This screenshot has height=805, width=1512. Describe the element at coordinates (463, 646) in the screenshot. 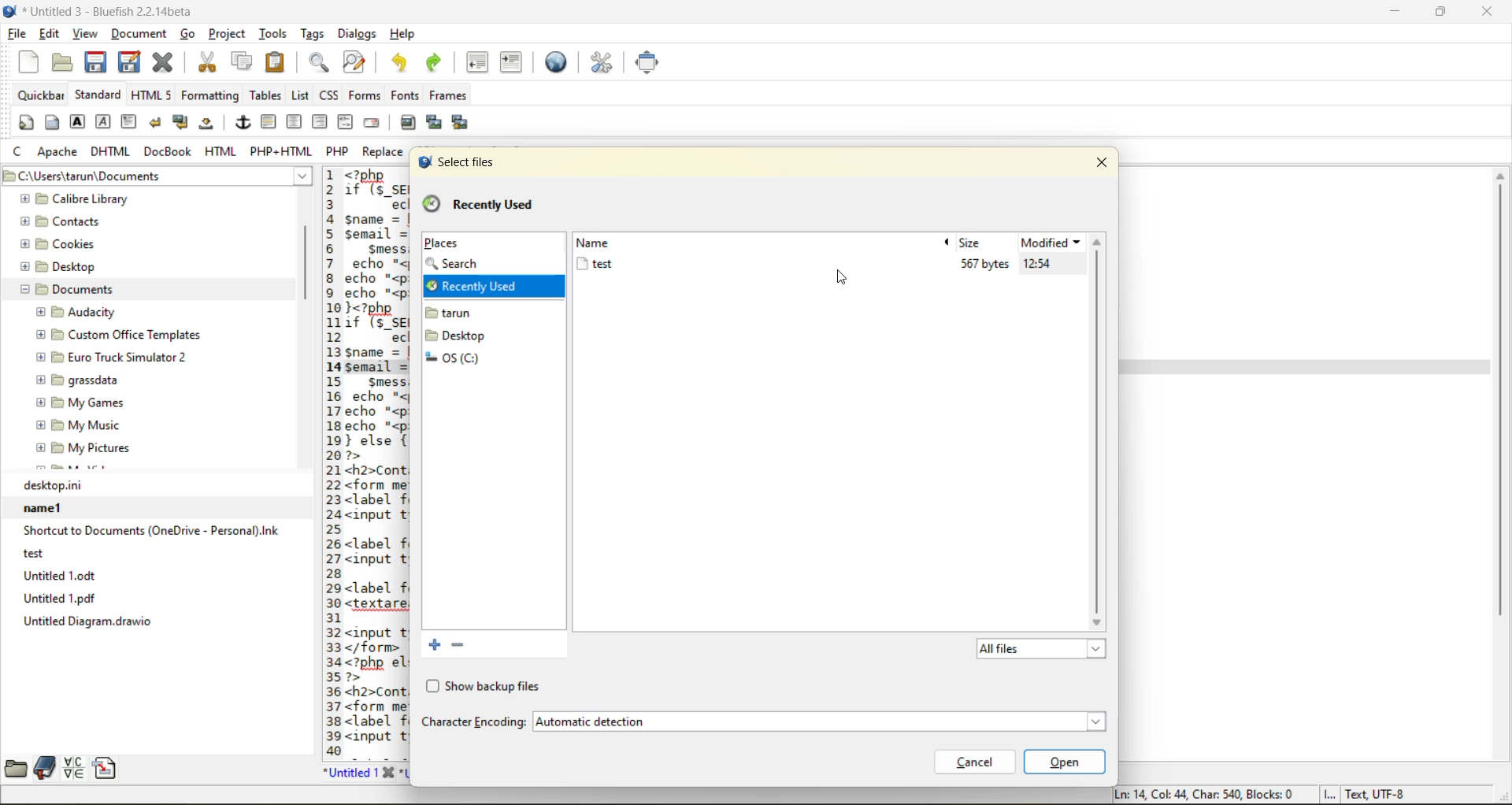

I see `remove the selected bookmark` at that location.